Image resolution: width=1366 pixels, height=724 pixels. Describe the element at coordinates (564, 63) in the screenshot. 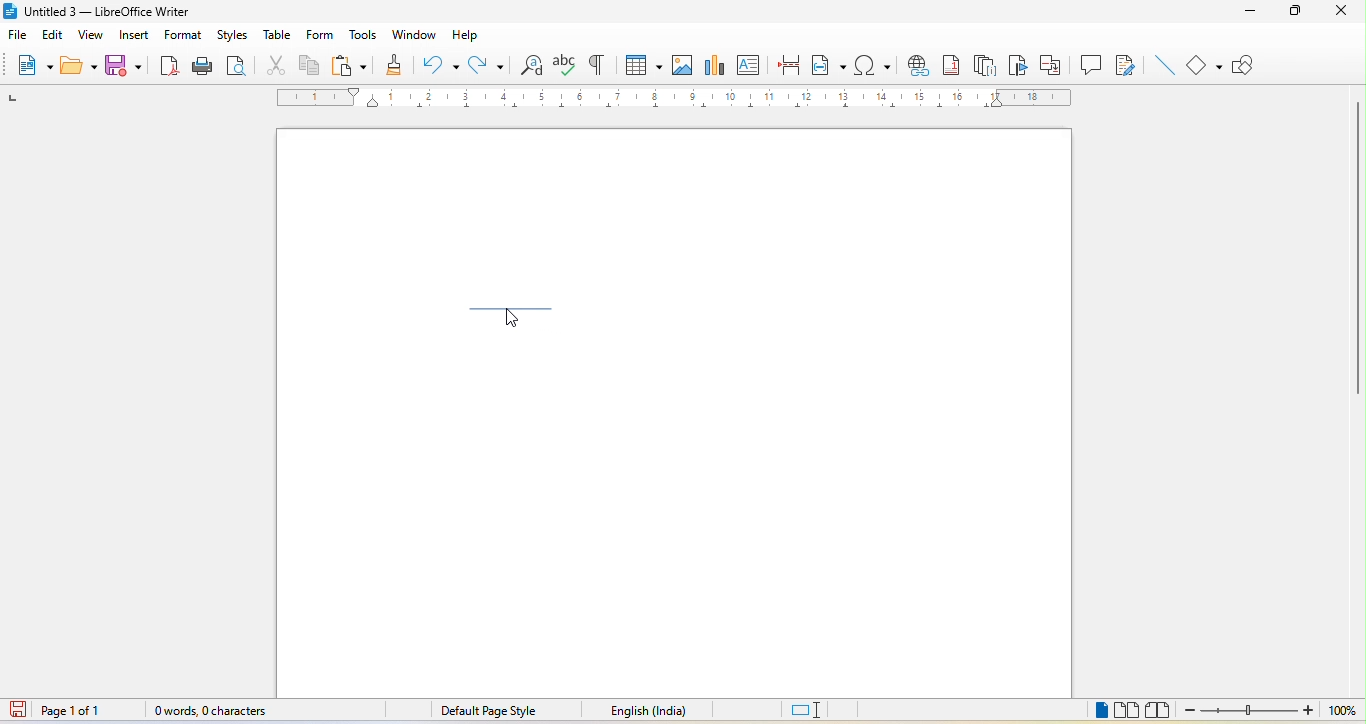

I see `spelling` at that location.